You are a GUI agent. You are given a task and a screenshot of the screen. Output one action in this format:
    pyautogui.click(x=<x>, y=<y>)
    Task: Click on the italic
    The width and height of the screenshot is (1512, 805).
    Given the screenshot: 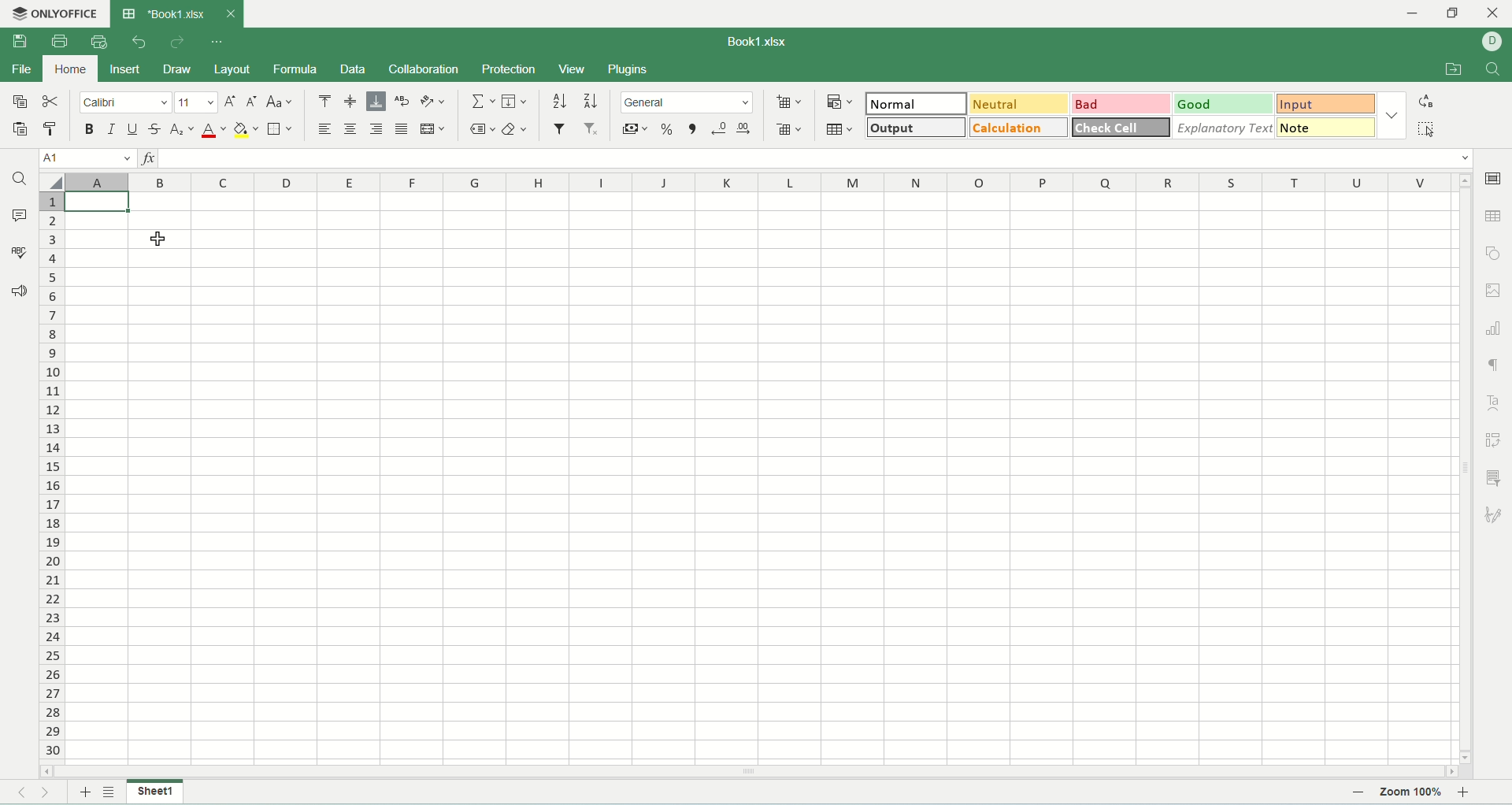 What is the action you would take?
    pyautogui.click(x=111, y=130)
    